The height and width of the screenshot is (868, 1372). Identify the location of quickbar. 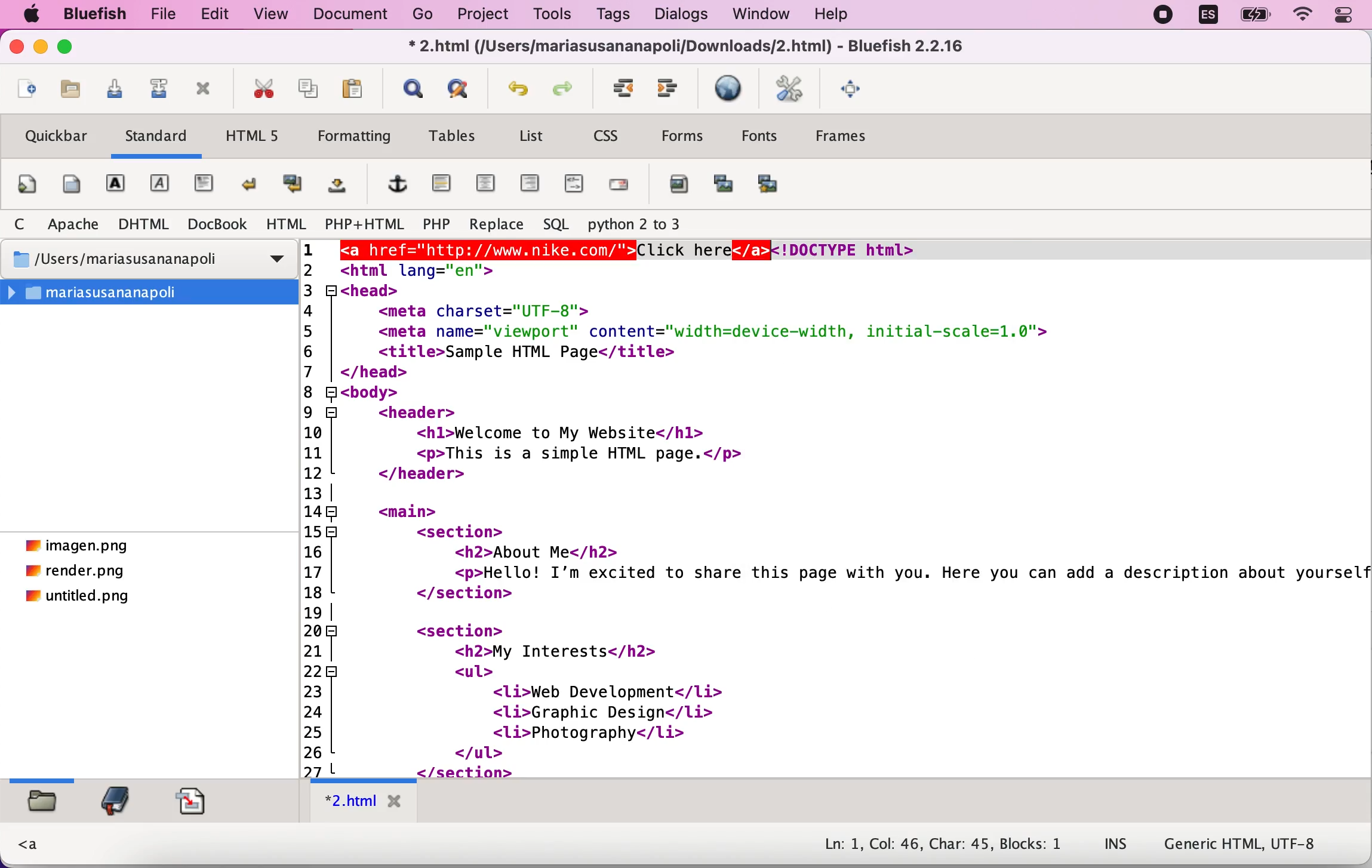
(56, 136).